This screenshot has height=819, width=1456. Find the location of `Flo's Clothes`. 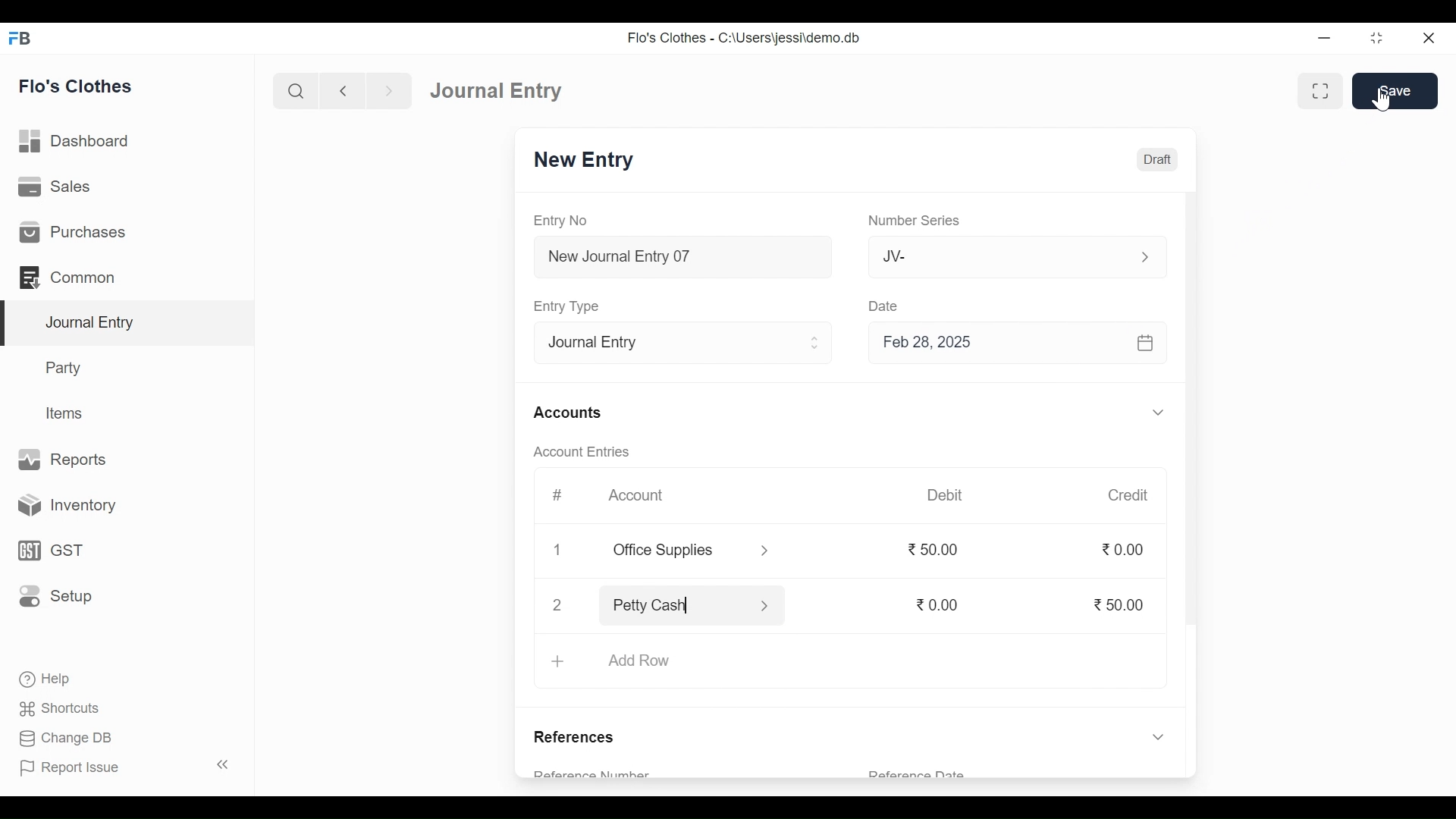

Flo's Clothes is located at coordinates (76, 86).